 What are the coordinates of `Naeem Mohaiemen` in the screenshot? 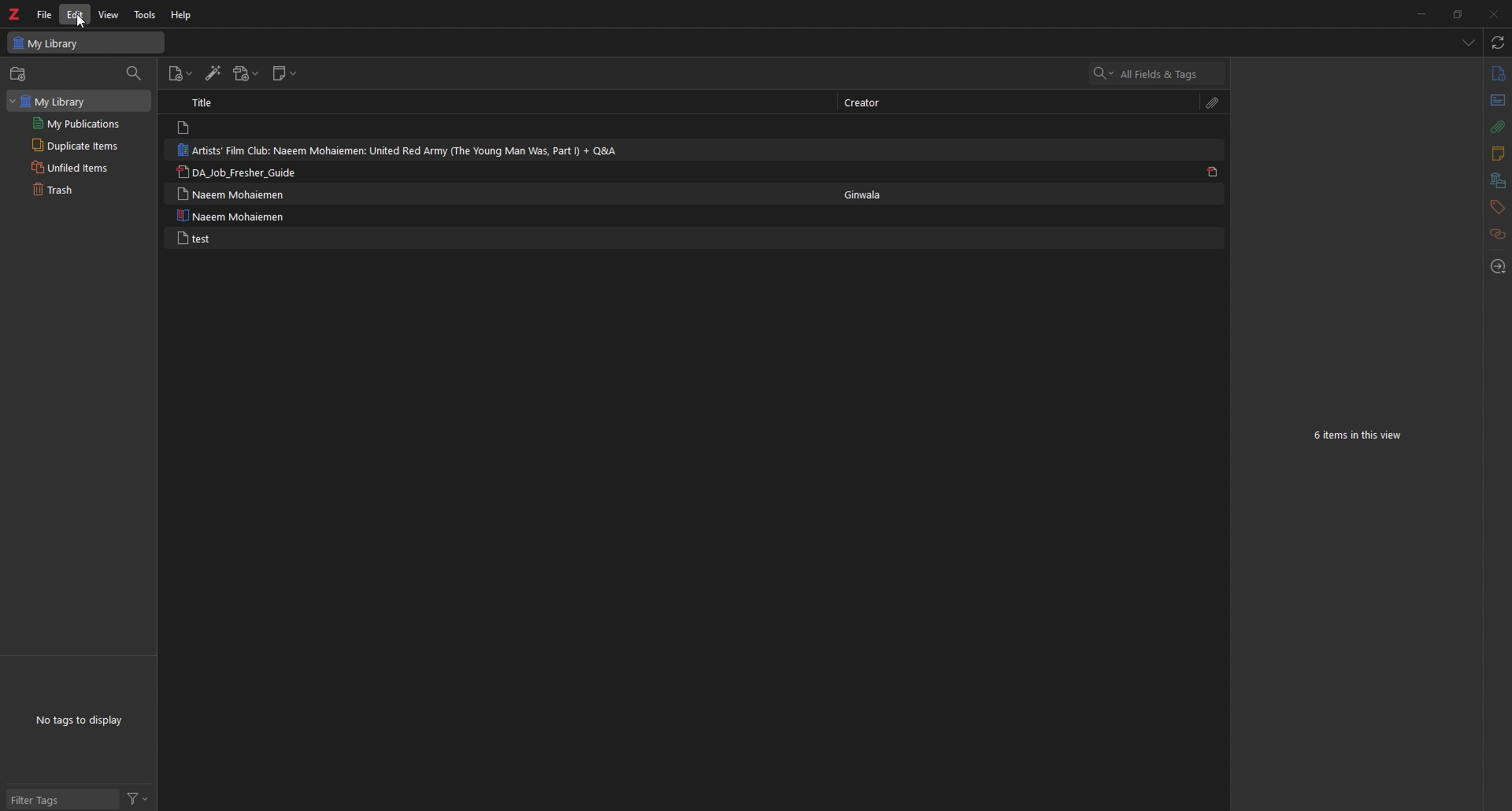 It's located at (232, 194).